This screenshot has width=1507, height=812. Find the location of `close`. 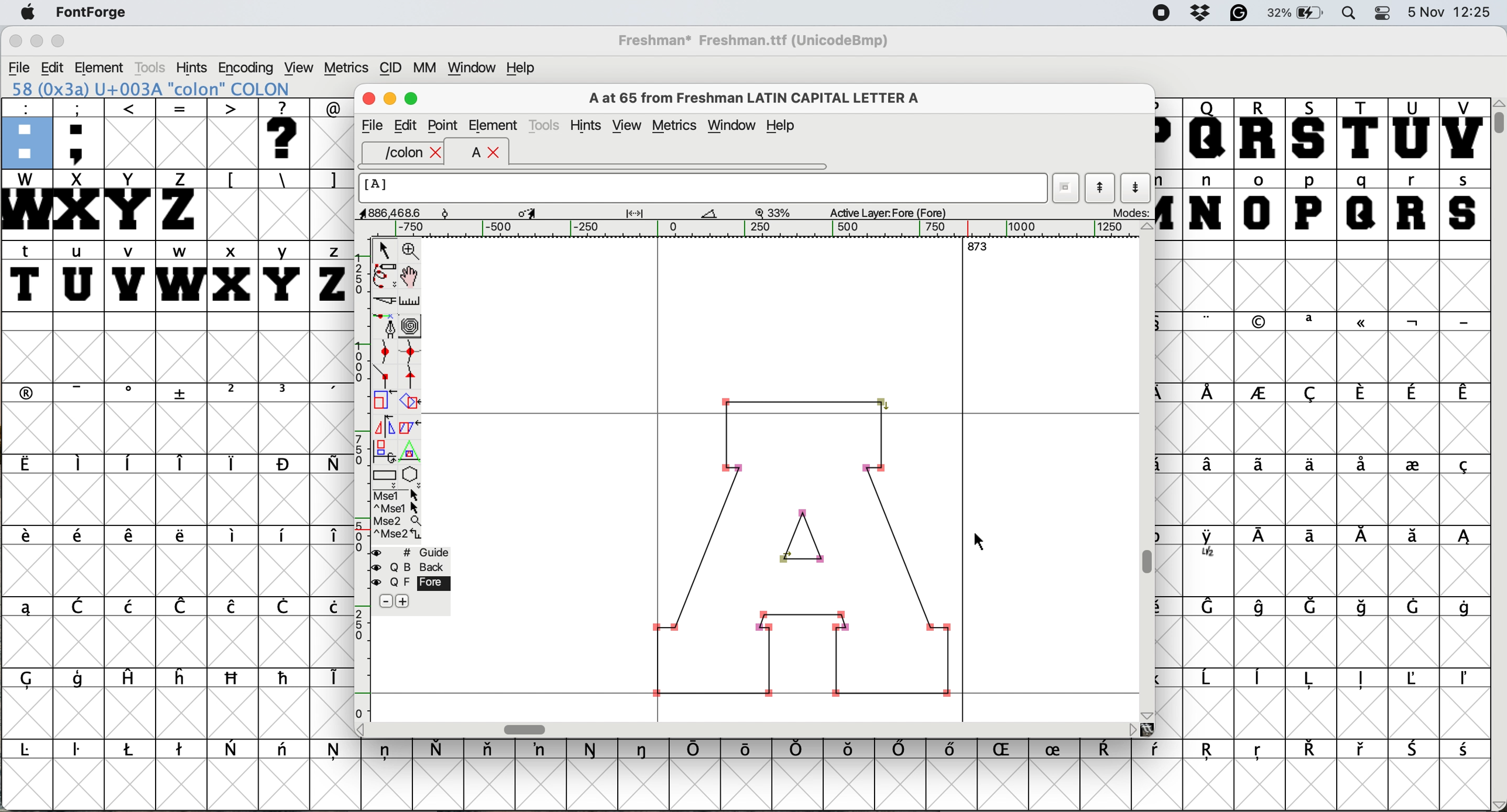

close is located at coordinates (495, 154).